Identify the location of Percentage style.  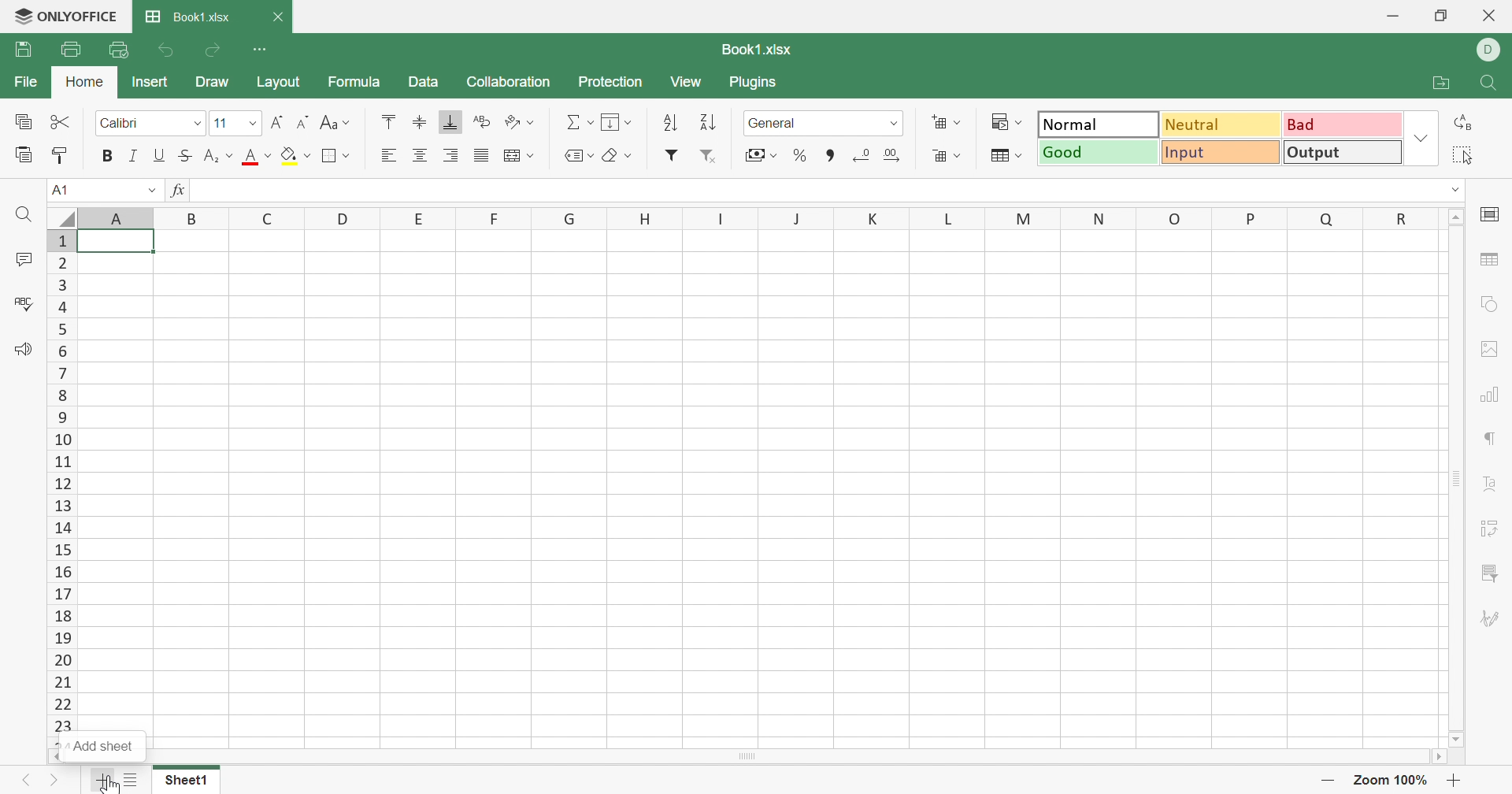
(802, 154).